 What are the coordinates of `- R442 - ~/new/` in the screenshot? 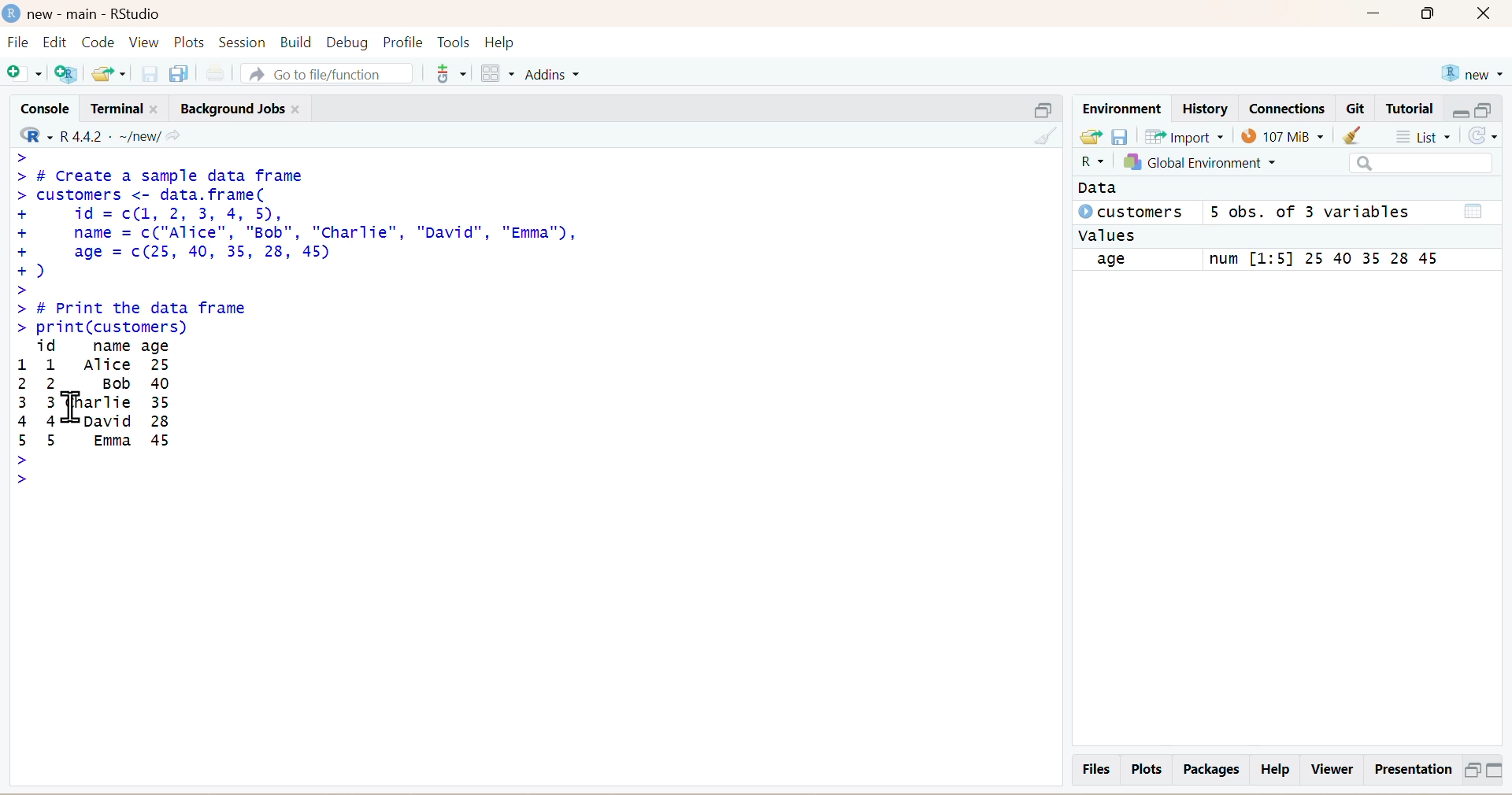 It's located at (119, 134).